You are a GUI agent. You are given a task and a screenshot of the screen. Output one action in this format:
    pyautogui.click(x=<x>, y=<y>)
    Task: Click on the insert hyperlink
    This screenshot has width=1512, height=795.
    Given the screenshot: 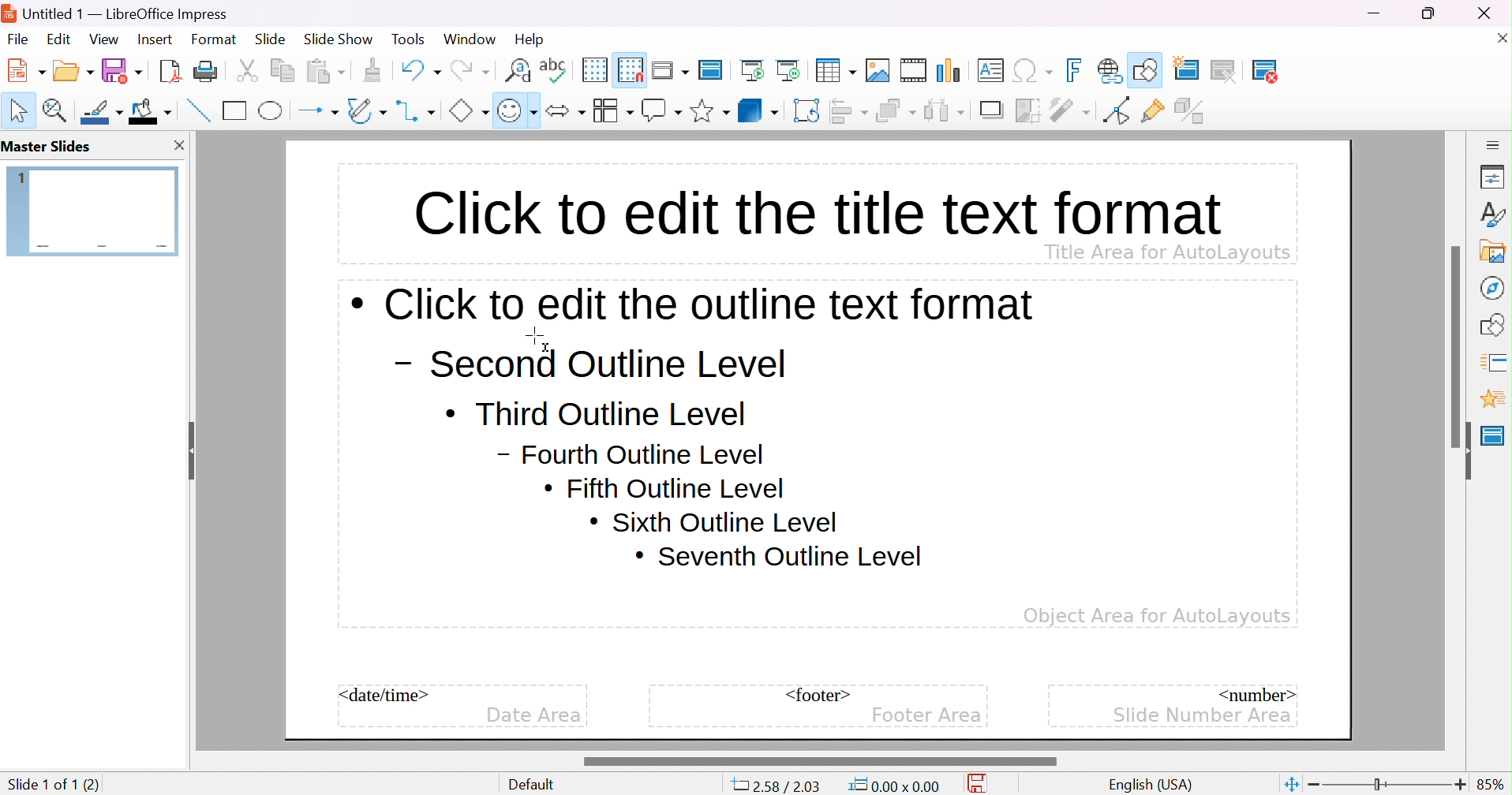 What is the action you would take?
    pyautogui.click(x=1110, y=70)
    